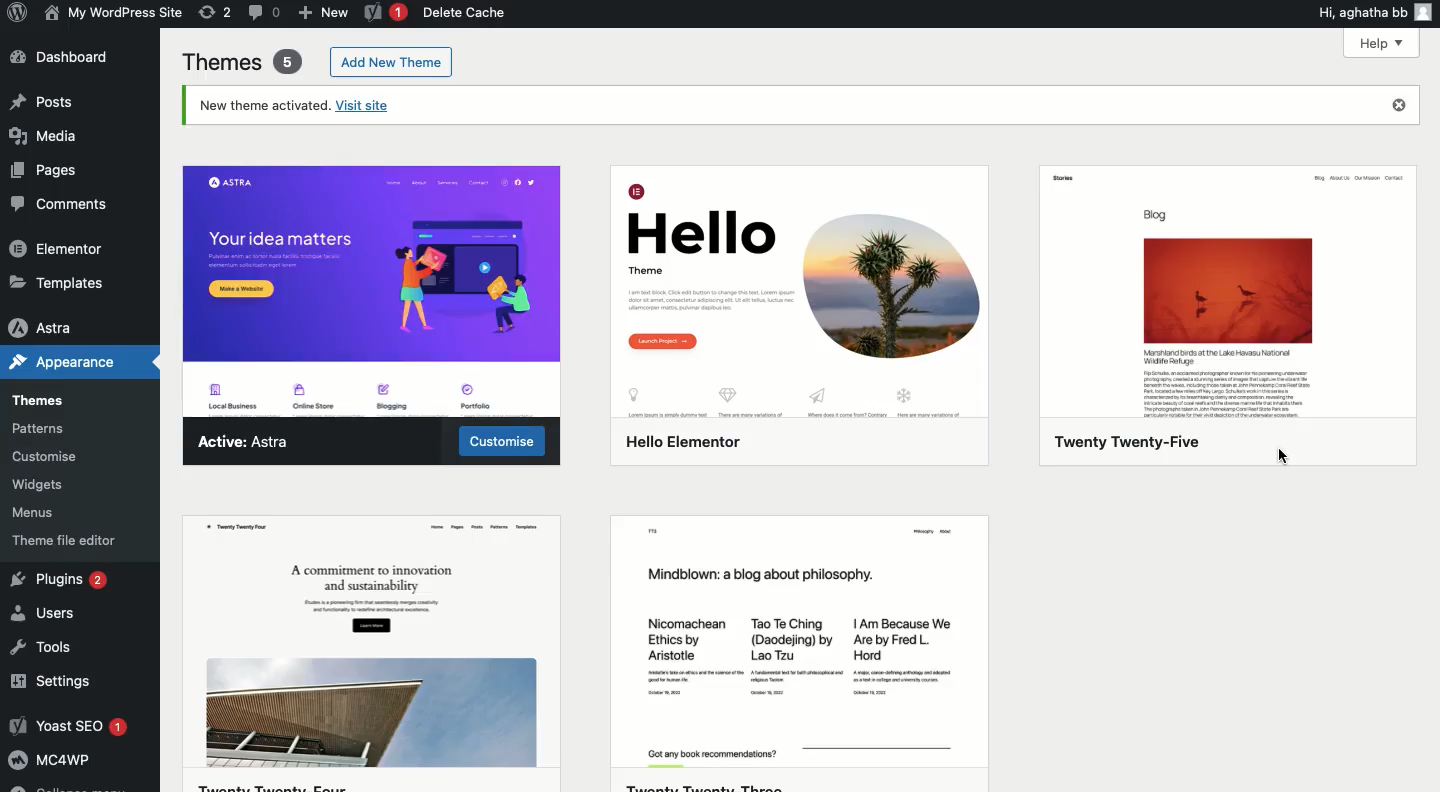  What do you see at coordinates (45, 456) in the screenshot?
I see `Customise` at bounding box center [45, 456].